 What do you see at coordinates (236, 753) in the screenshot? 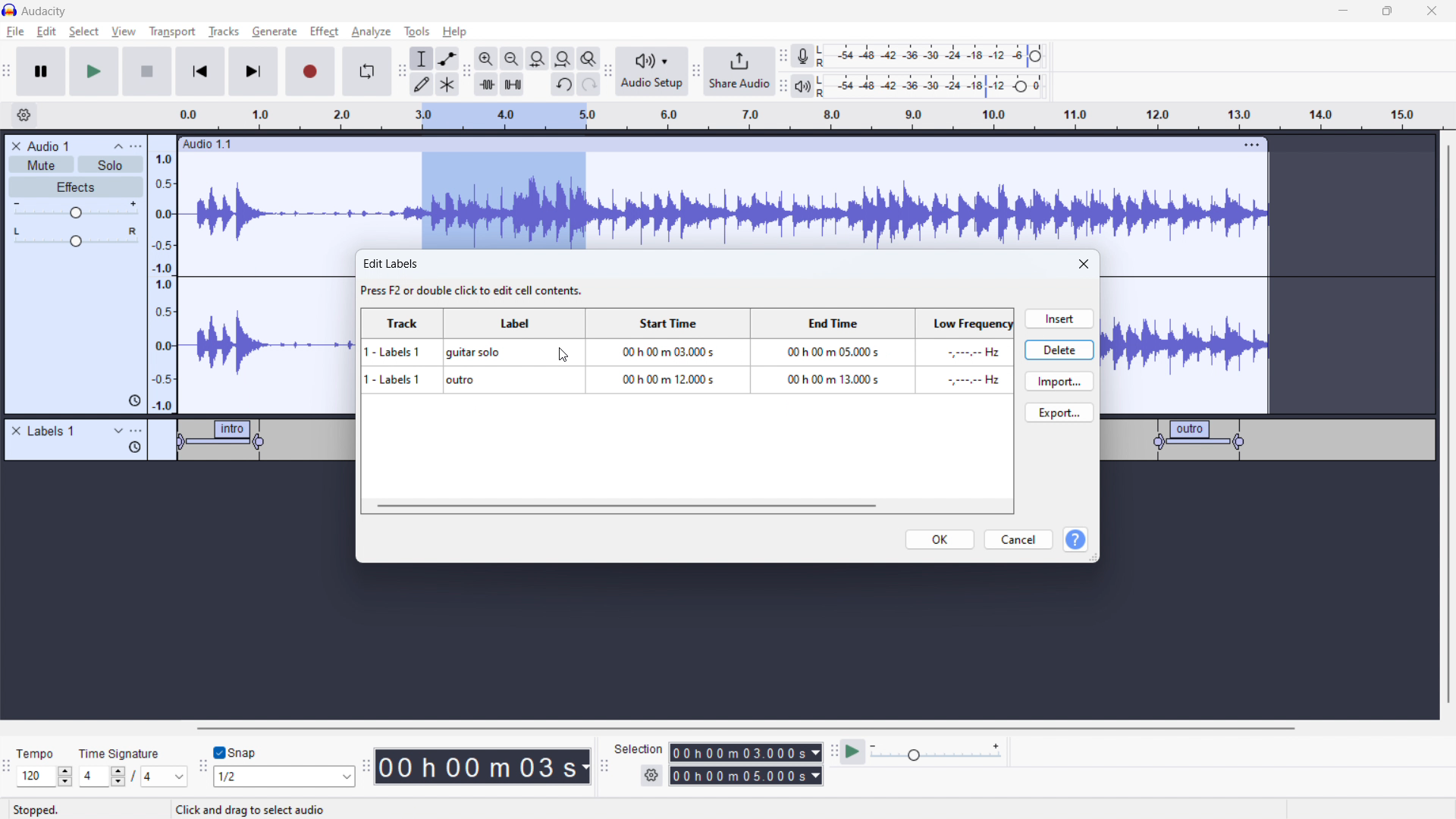
I see `toggle snap` at bounding box center [236, 753].